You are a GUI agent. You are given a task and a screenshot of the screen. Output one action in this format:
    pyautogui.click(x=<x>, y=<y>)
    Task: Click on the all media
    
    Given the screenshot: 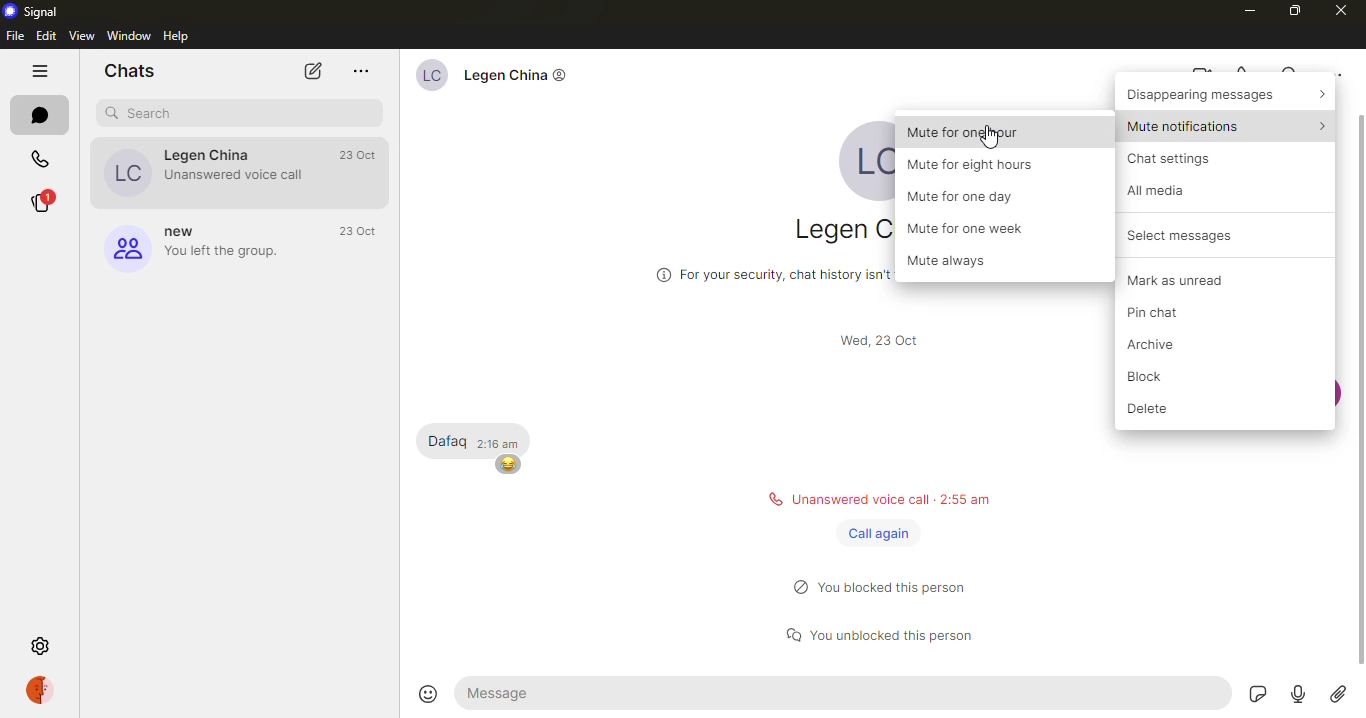 What is the action you would take?
    pyautogui.click(x=1166, y=192)
    